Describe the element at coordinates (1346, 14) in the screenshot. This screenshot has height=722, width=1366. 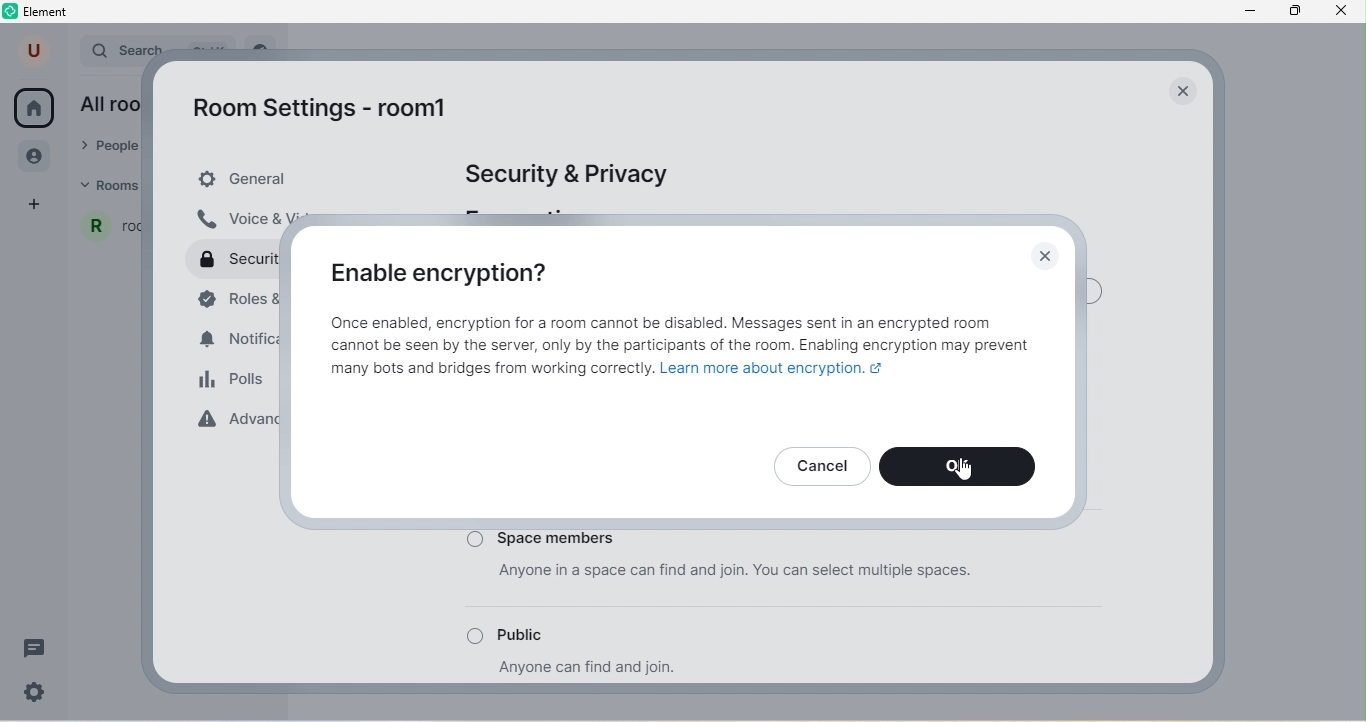
I see `close` at that location.